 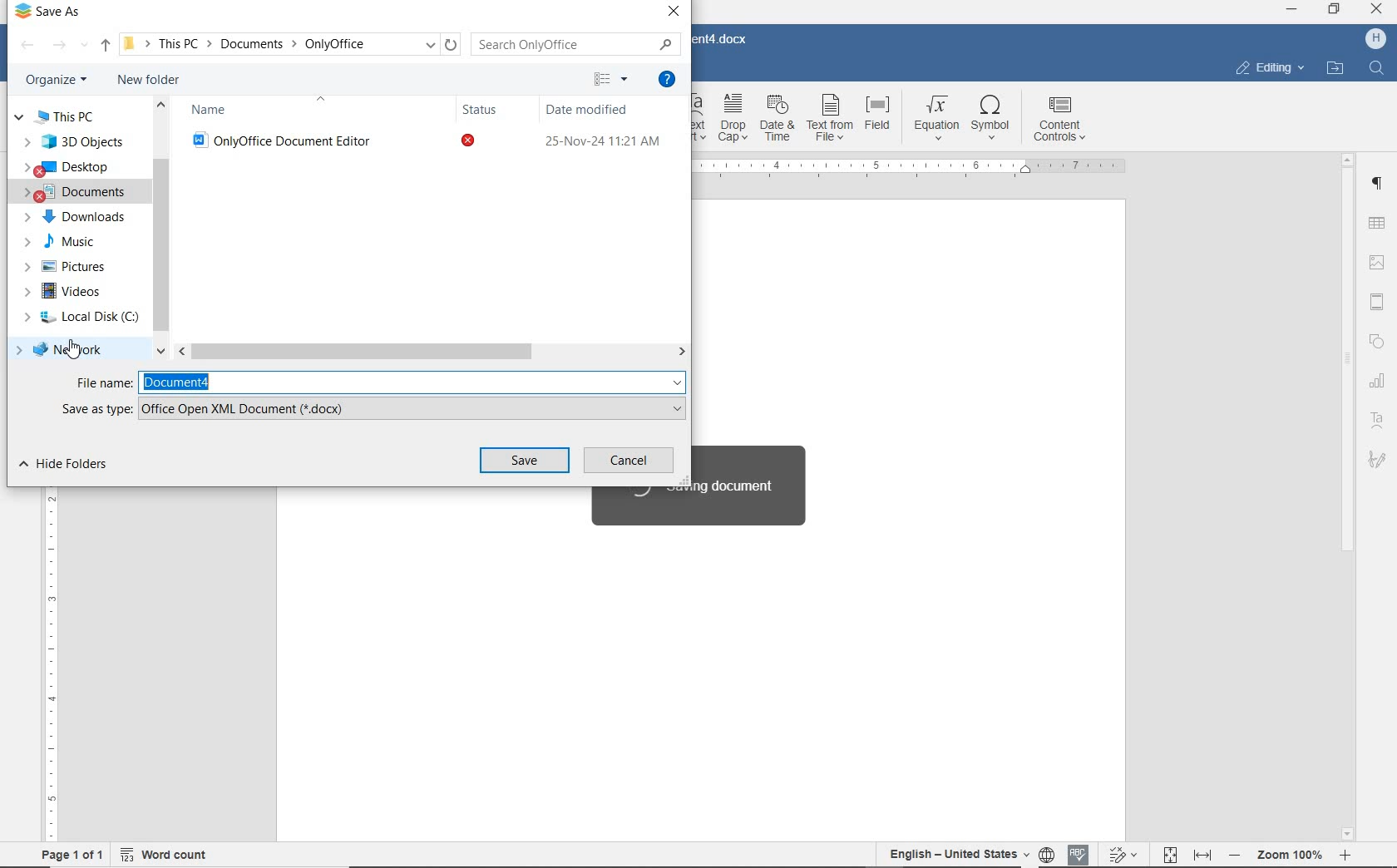 I want to click on shape, so click(x=1379, y=344).